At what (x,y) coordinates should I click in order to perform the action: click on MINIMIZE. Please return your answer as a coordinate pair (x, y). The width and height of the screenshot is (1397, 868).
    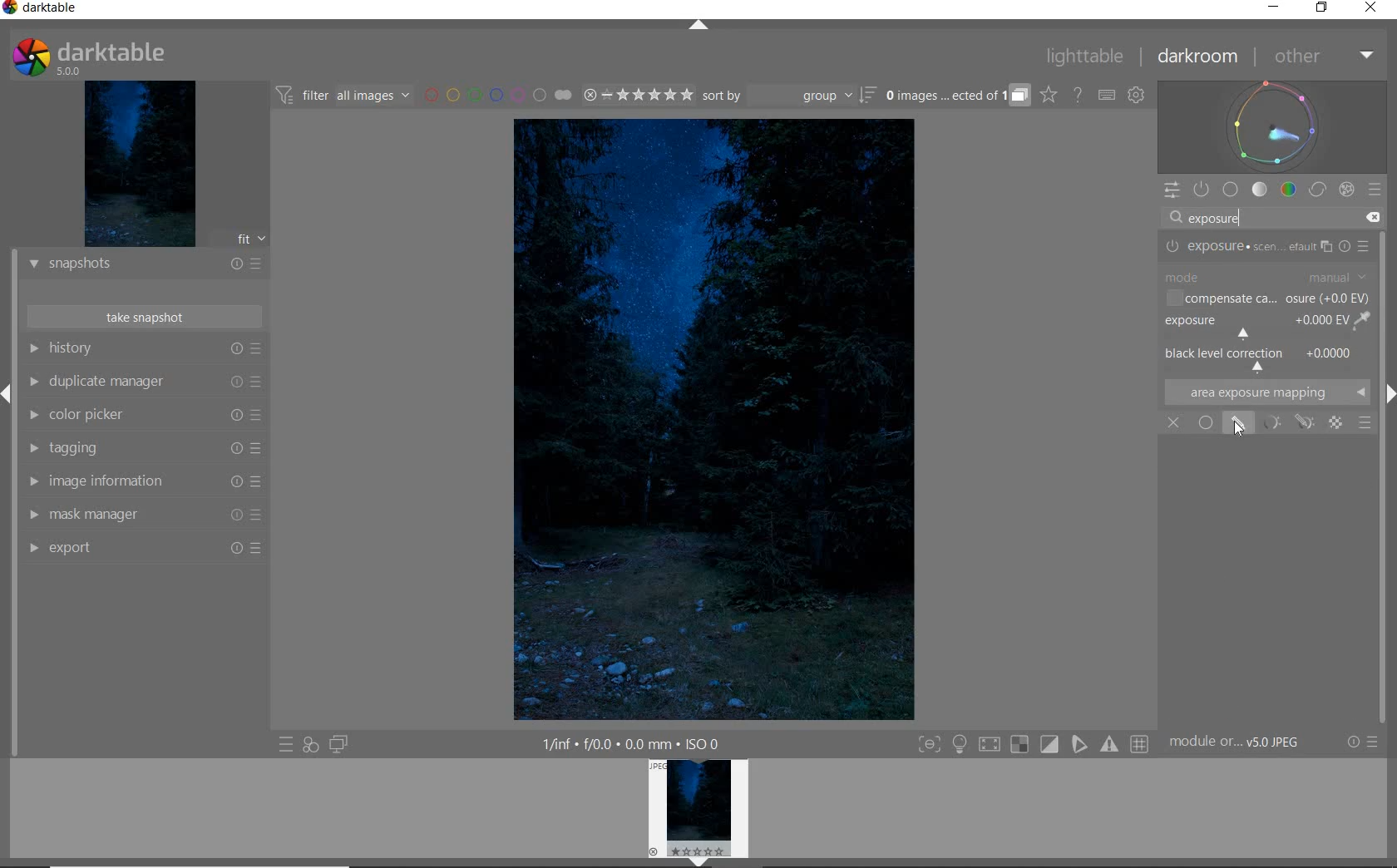
    Looking at the image, I should click on (1275, 7).